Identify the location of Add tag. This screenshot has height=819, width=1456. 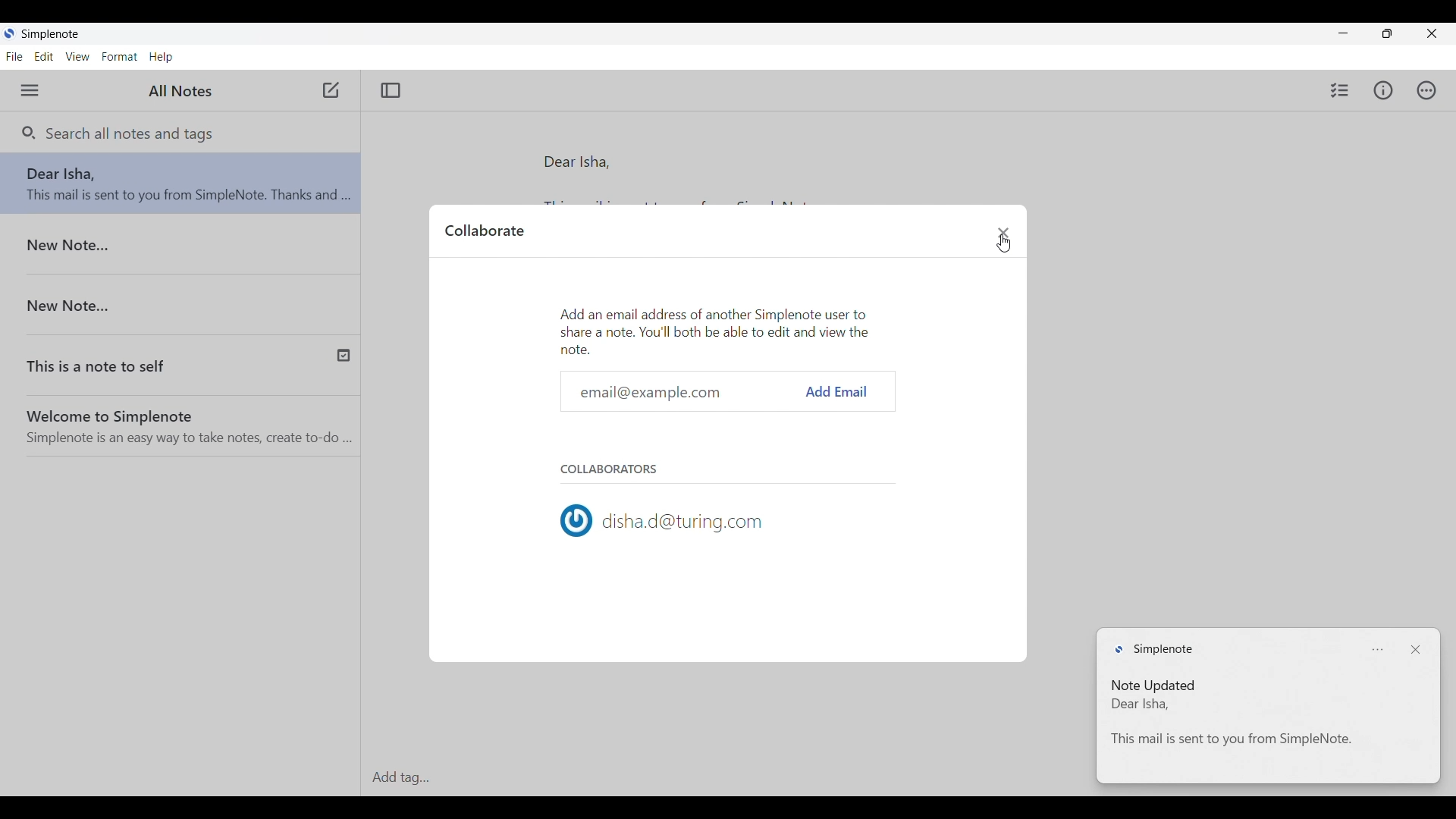
(726, 778).